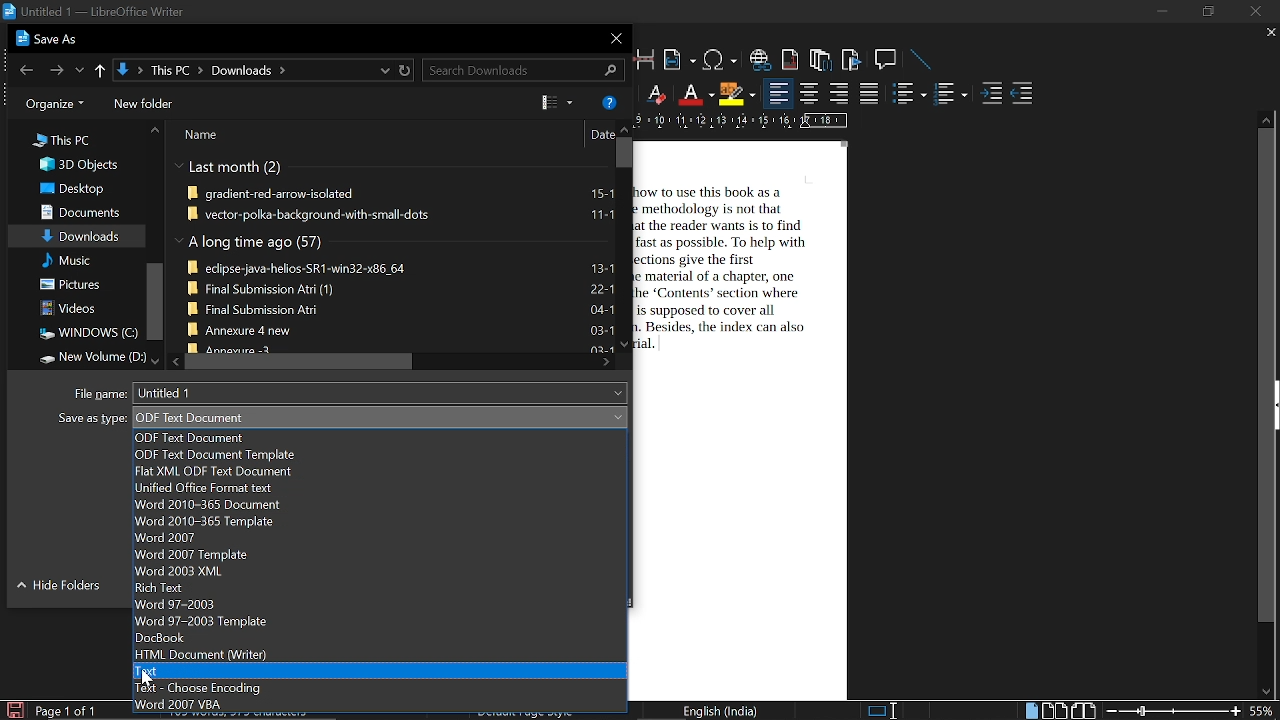 Image resolution: width=1280 pixels, height=720 pixels. I want to click on insert field, so click(679, 60).